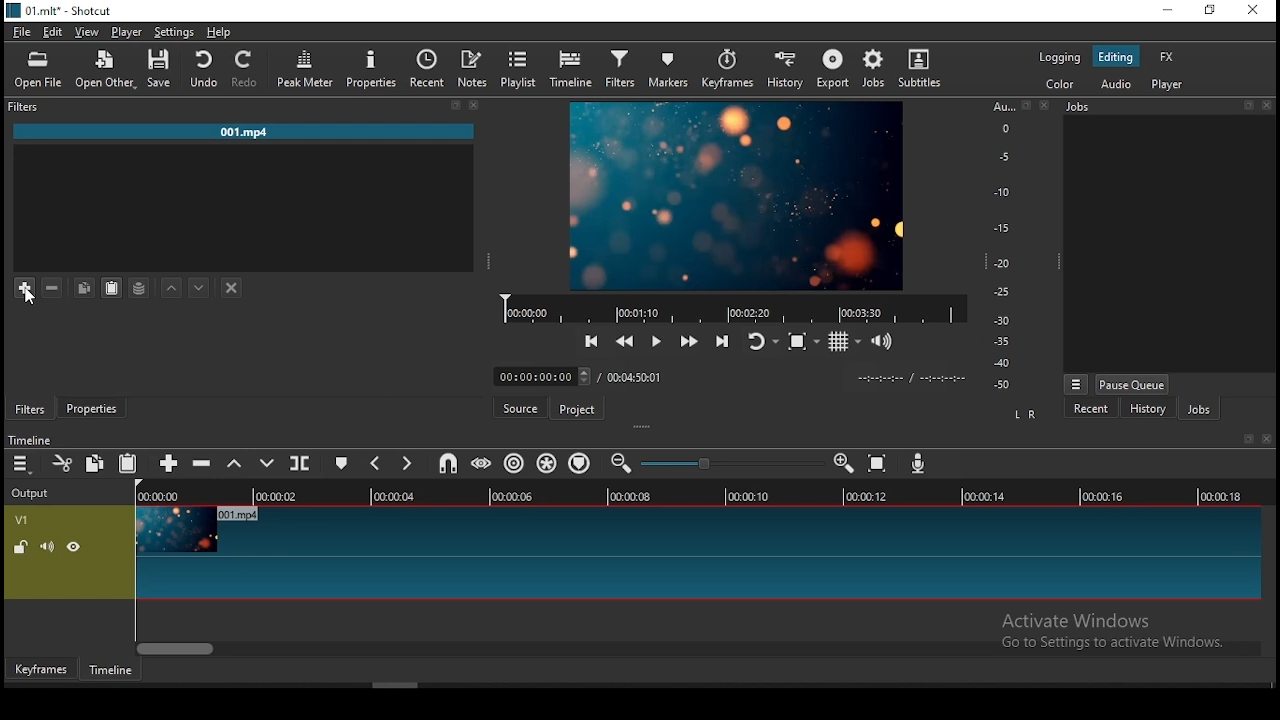 This screenshot has width=1280, height=720. I want to click on file, so click(22, 32).